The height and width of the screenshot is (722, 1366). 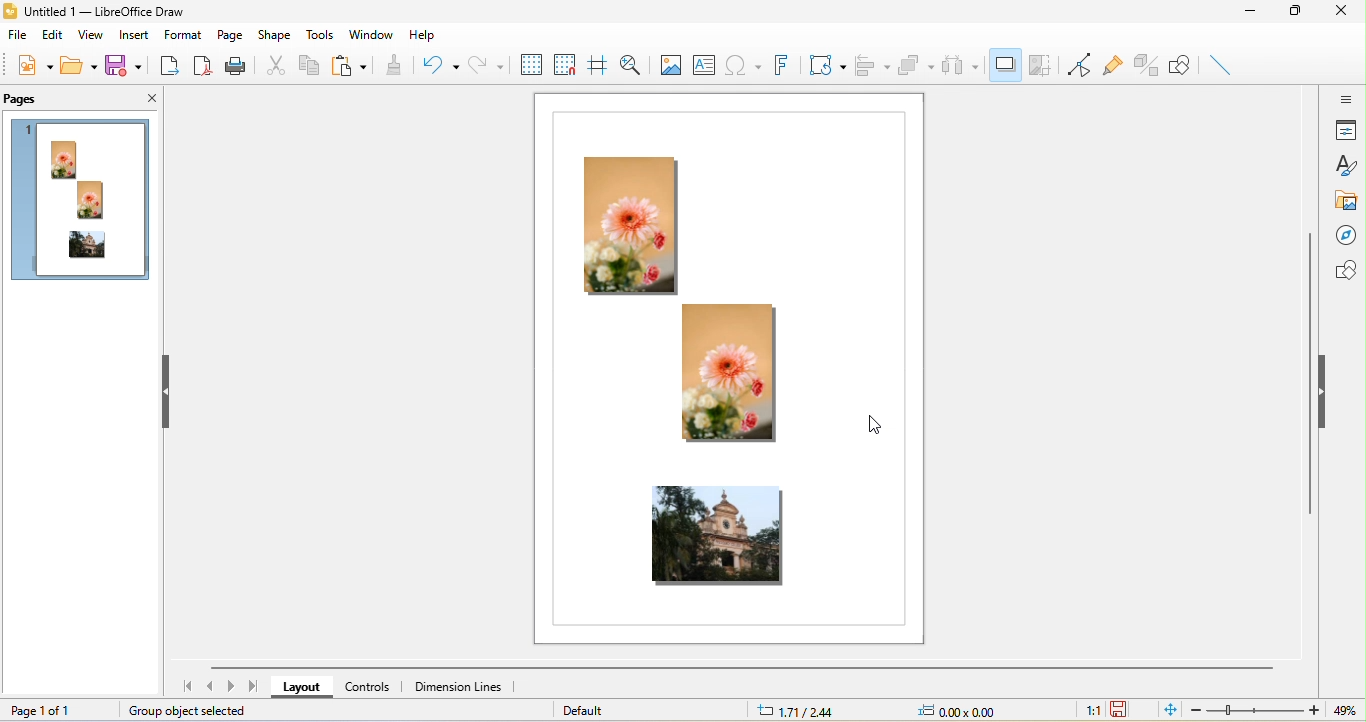 What do you see at coordinates (82, 204) in the screenshot?
I see `page 1 images` at bounding box center [82, 204].